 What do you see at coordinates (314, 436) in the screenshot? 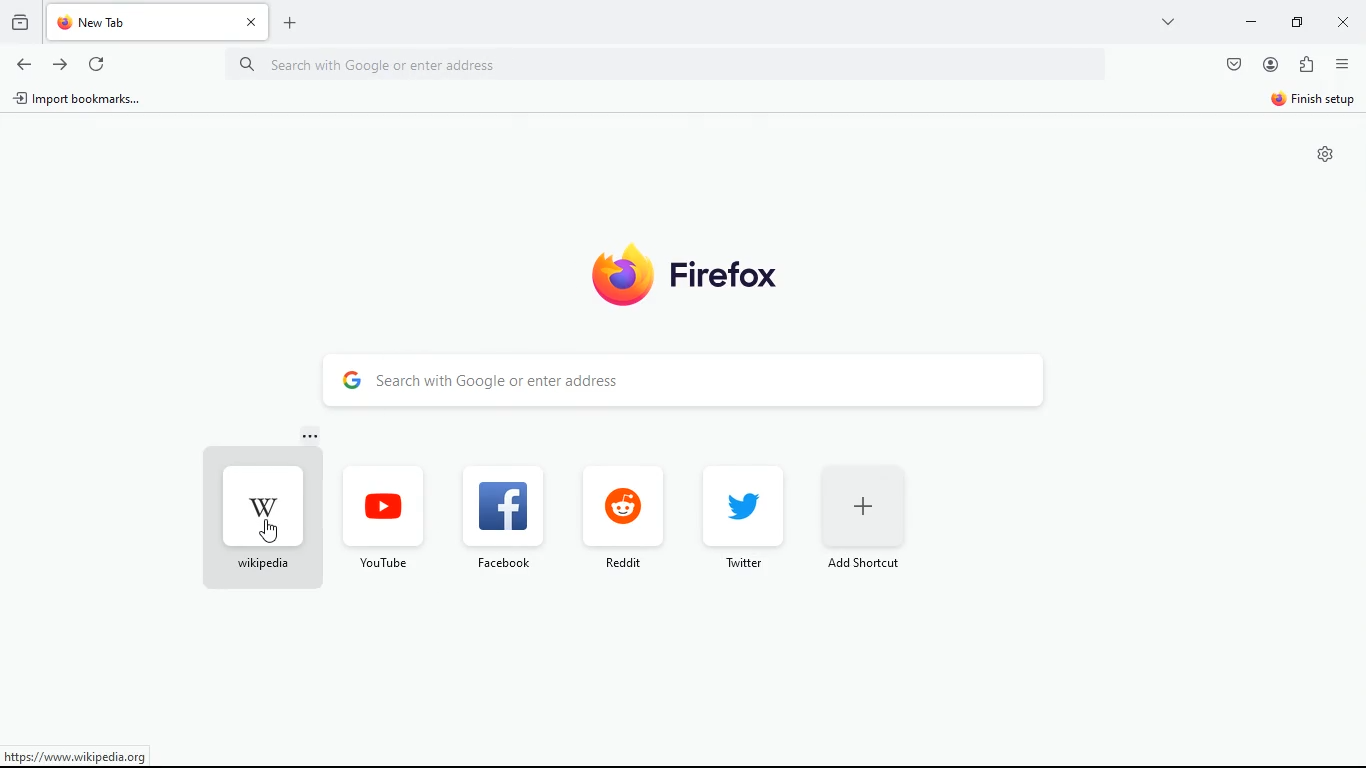
I see `more` at bounding box center [314, 436].